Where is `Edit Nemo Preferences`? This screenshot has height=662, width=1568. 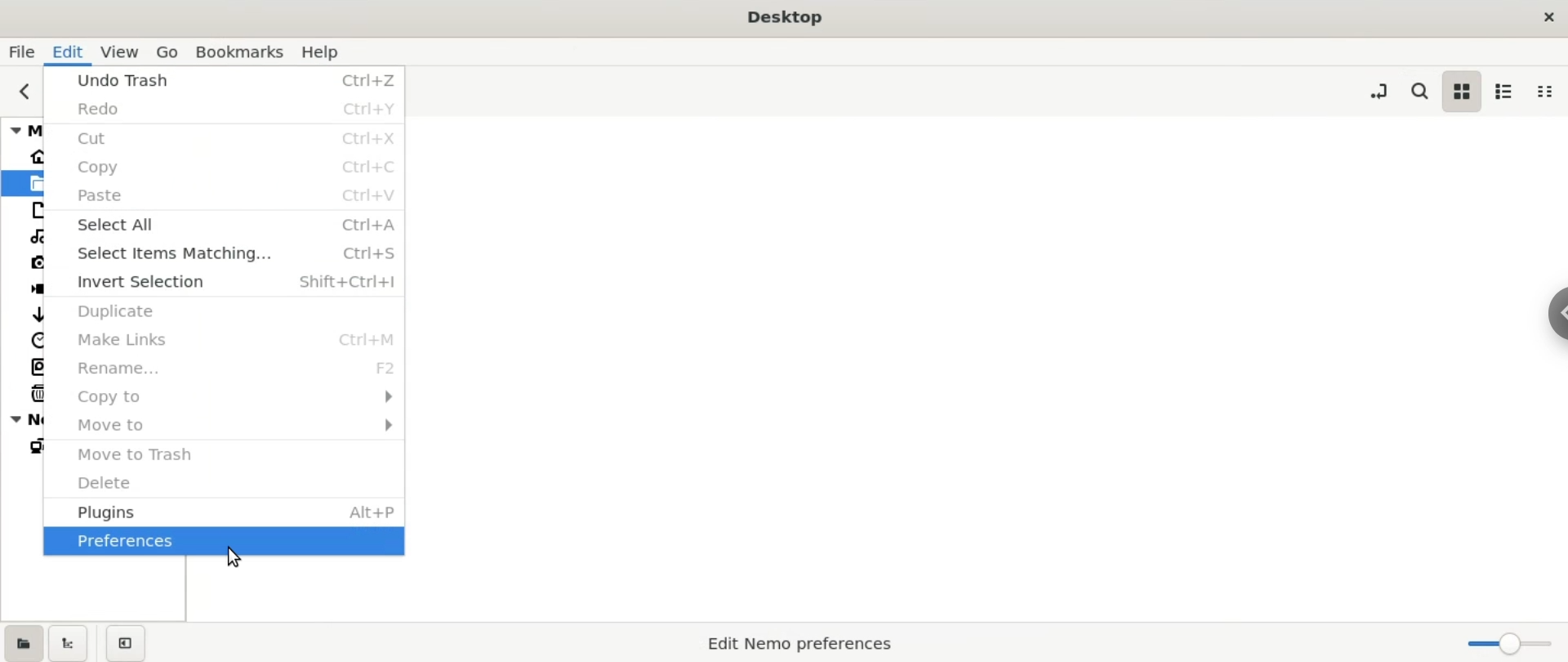
Edit Nemo Preferences is located at coordinates (809, 645).